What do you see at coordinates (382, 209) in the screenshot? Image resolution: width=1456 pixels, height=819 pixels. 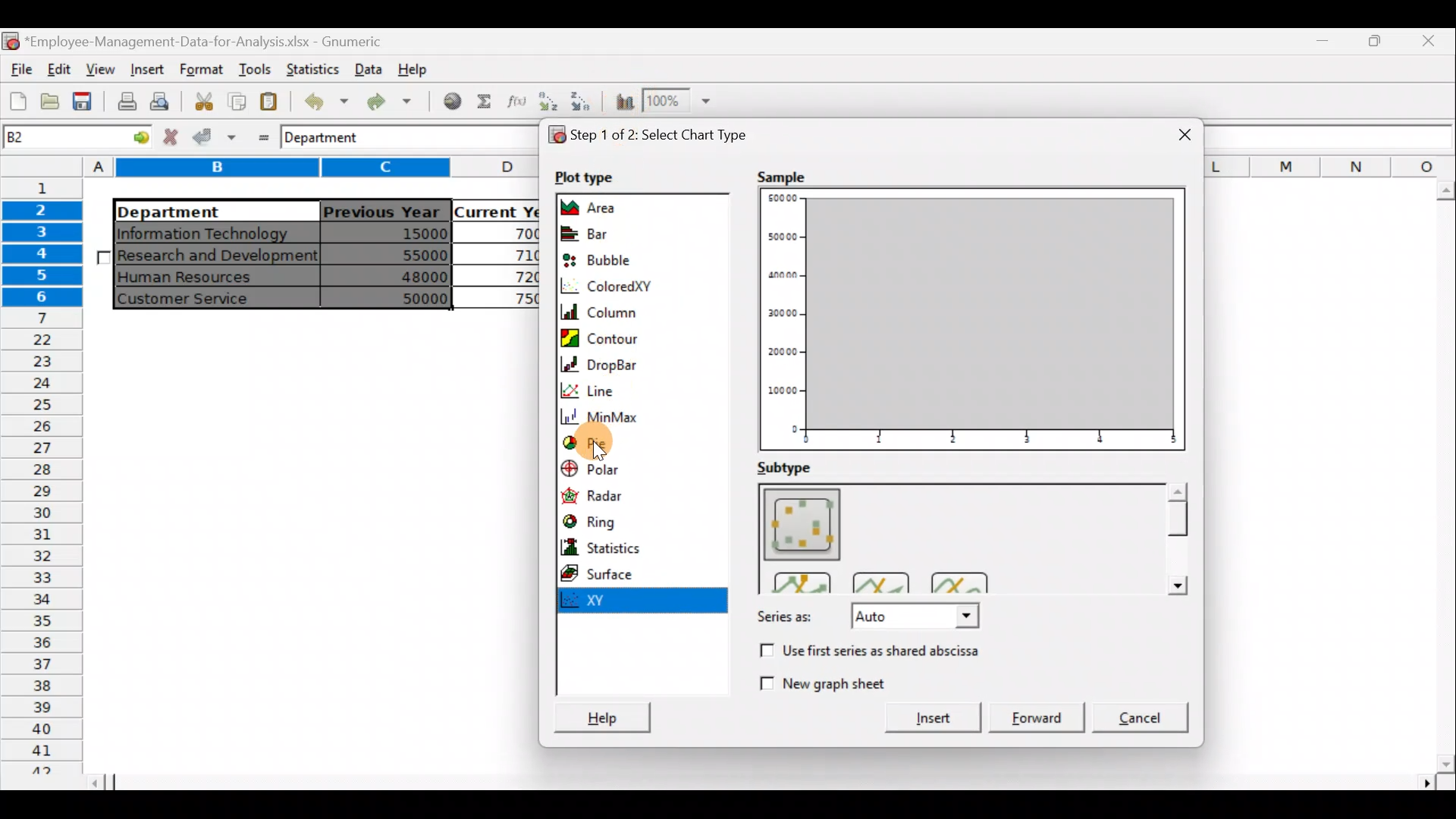 I see `Previous Year` at bounding box center [382, 209].